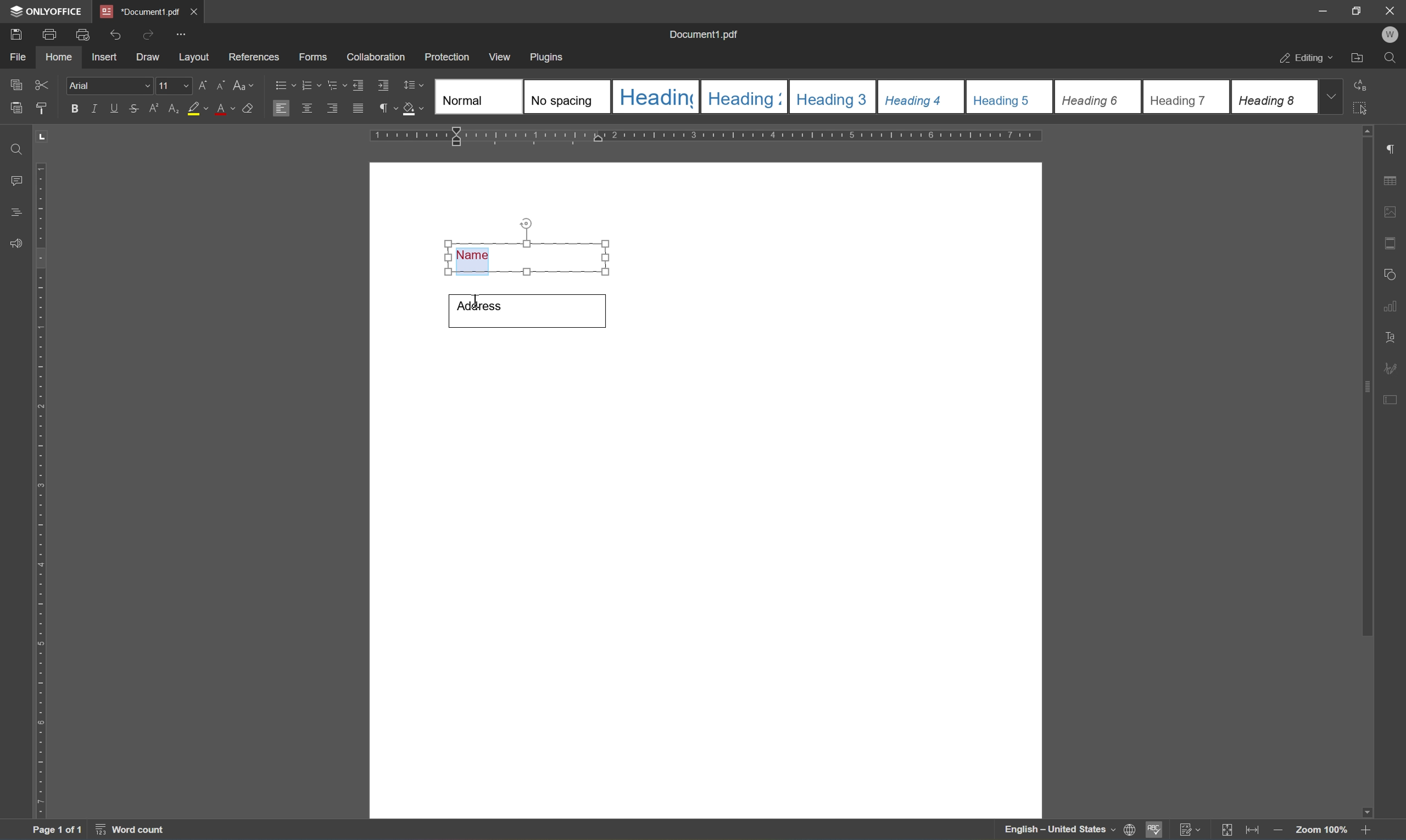 The width and height of the screenshot is (1406, 840). Describe the element at coordinates (1061, 832) in the screenshot. I see `english-united states` at that location.